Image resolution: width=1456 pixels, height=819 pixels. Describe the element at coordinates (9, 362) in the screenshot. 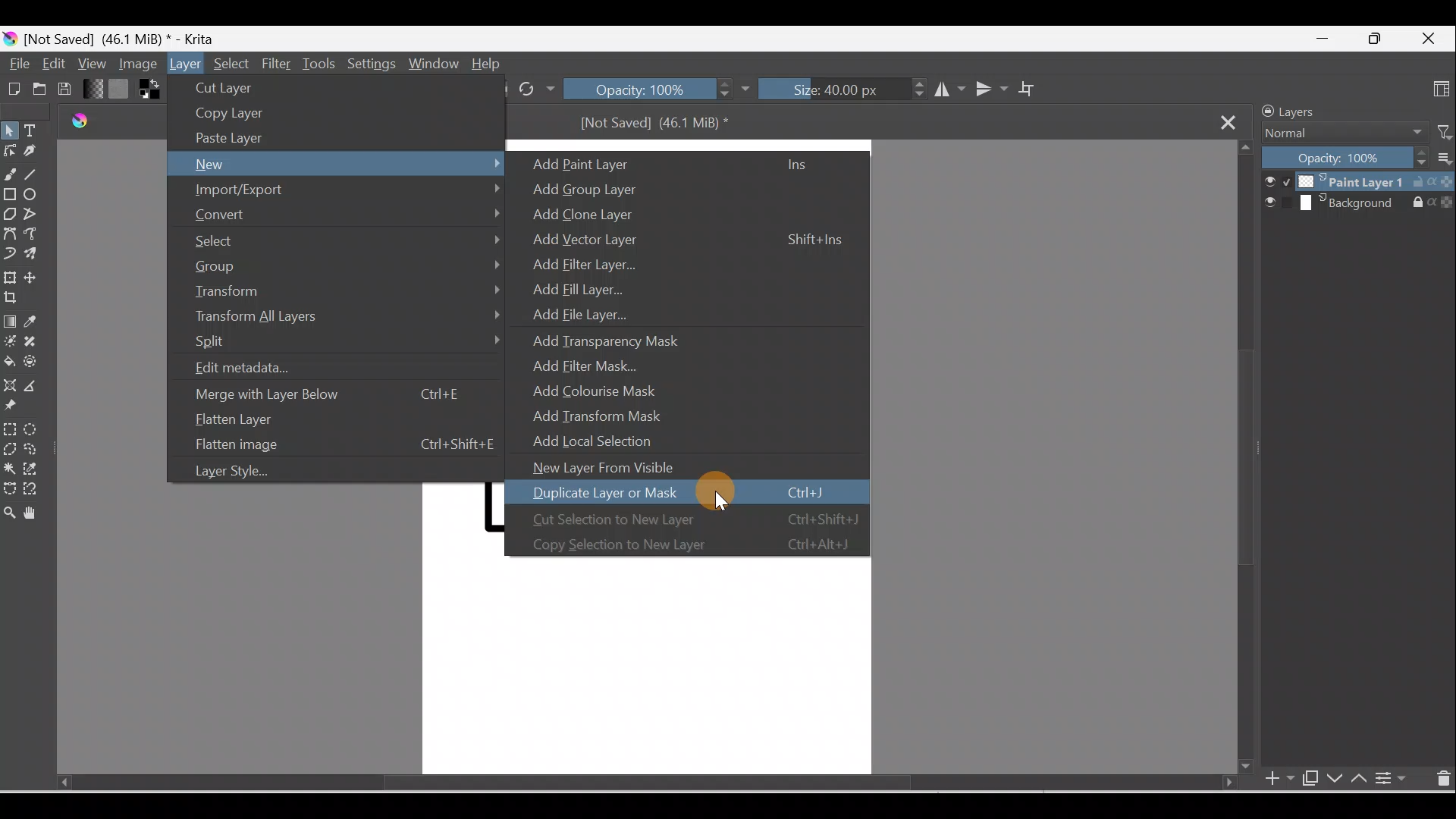

I see `Fill a contiguous area of colour with colour/fill a selection` at that location.